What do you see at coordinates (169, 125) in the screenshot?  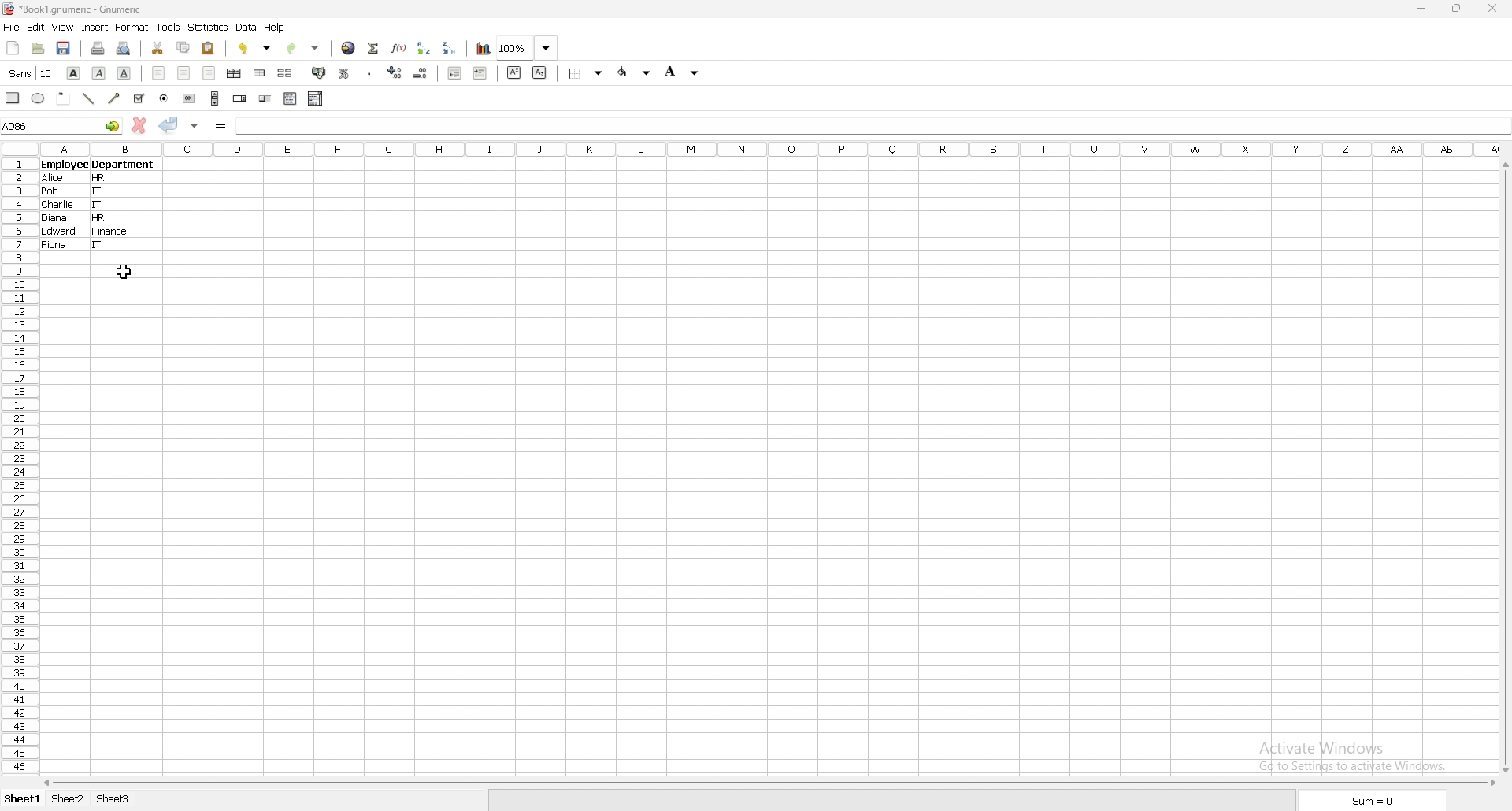 I see `accept changes` at bounding box center [169, 125].